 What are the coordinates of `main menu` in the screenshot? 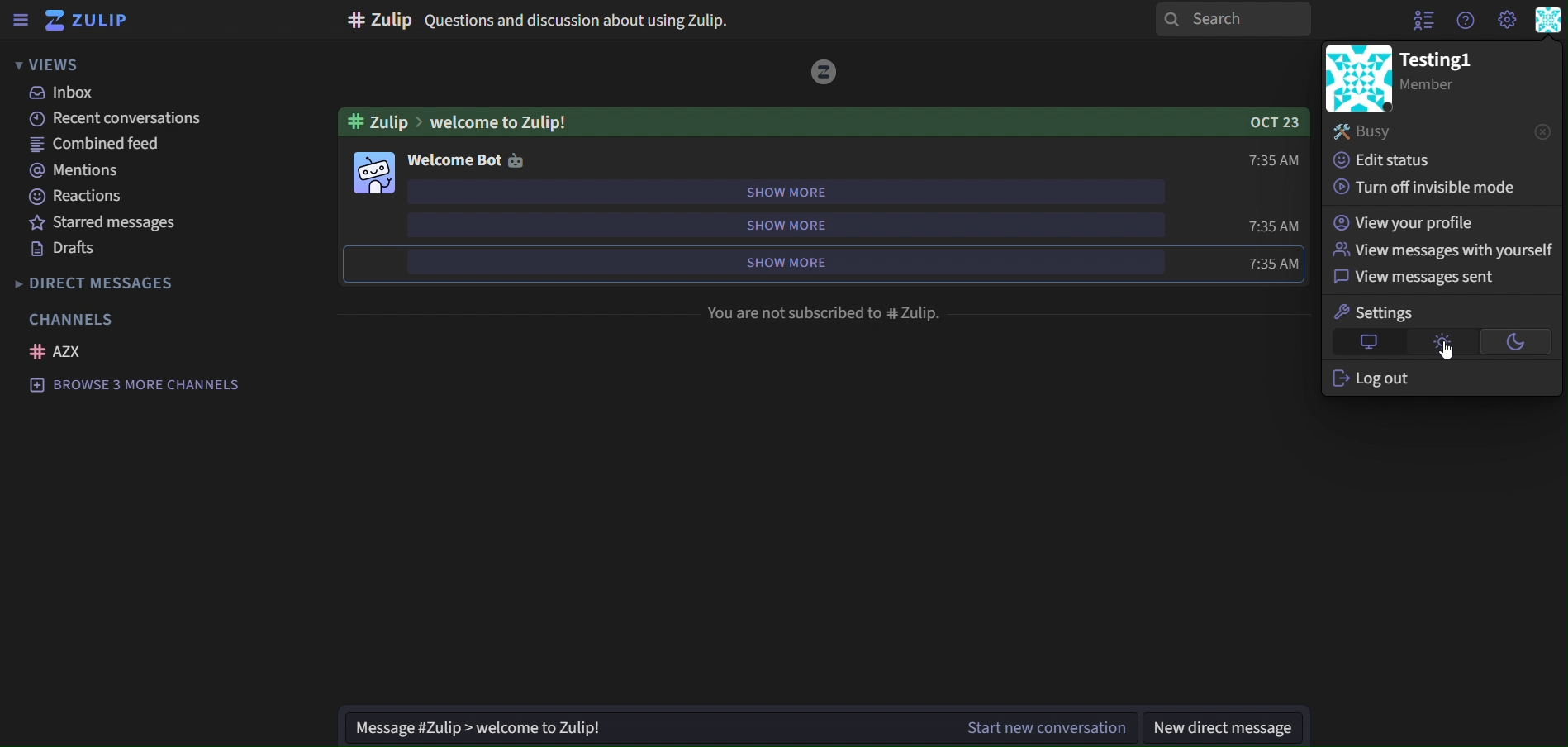 It's located at (1508, 20).